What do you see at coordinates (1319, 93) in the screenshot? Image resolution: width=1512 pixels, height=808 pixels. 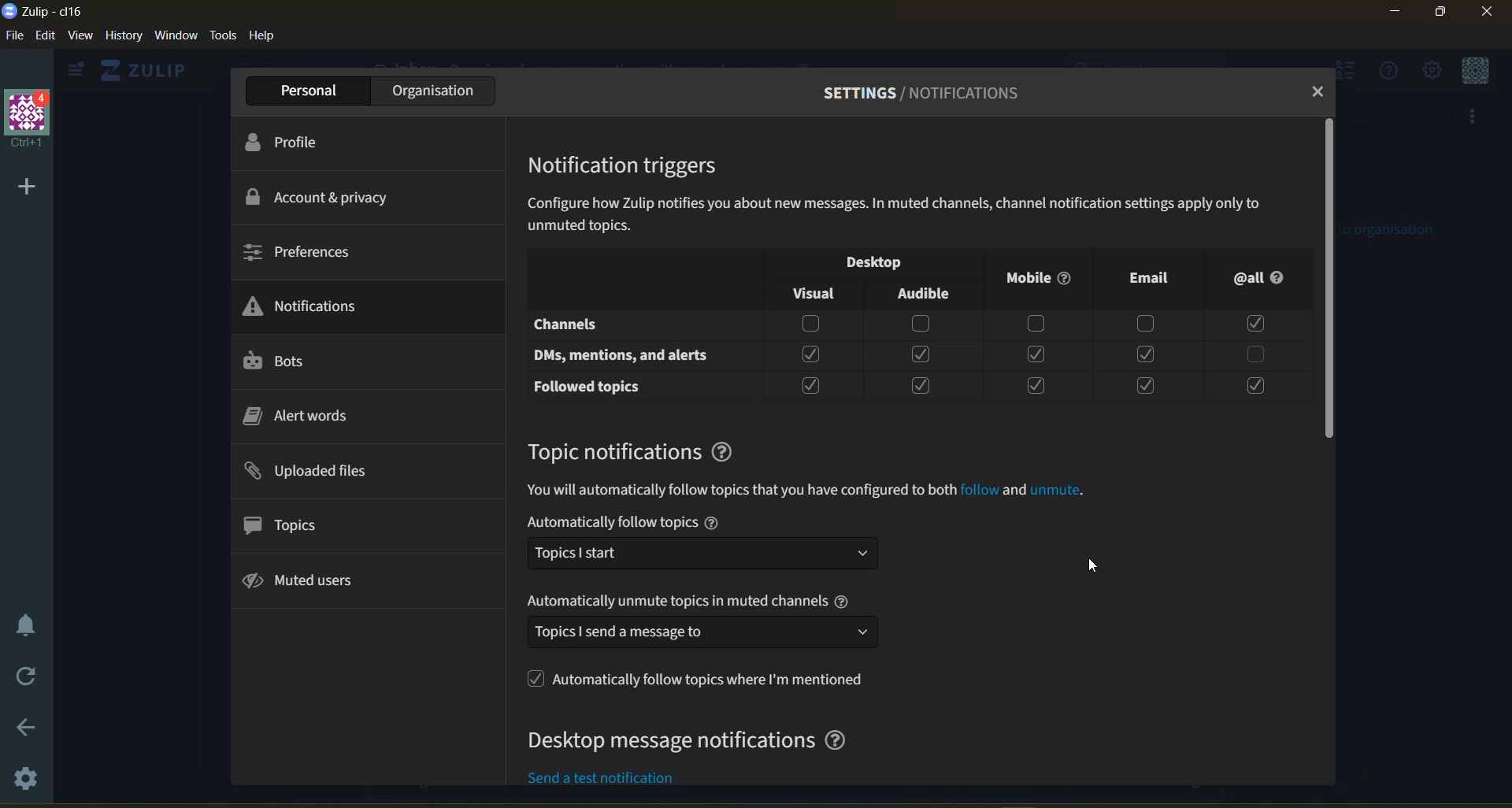 I see `close tab` at bounding box center [1319, 93].